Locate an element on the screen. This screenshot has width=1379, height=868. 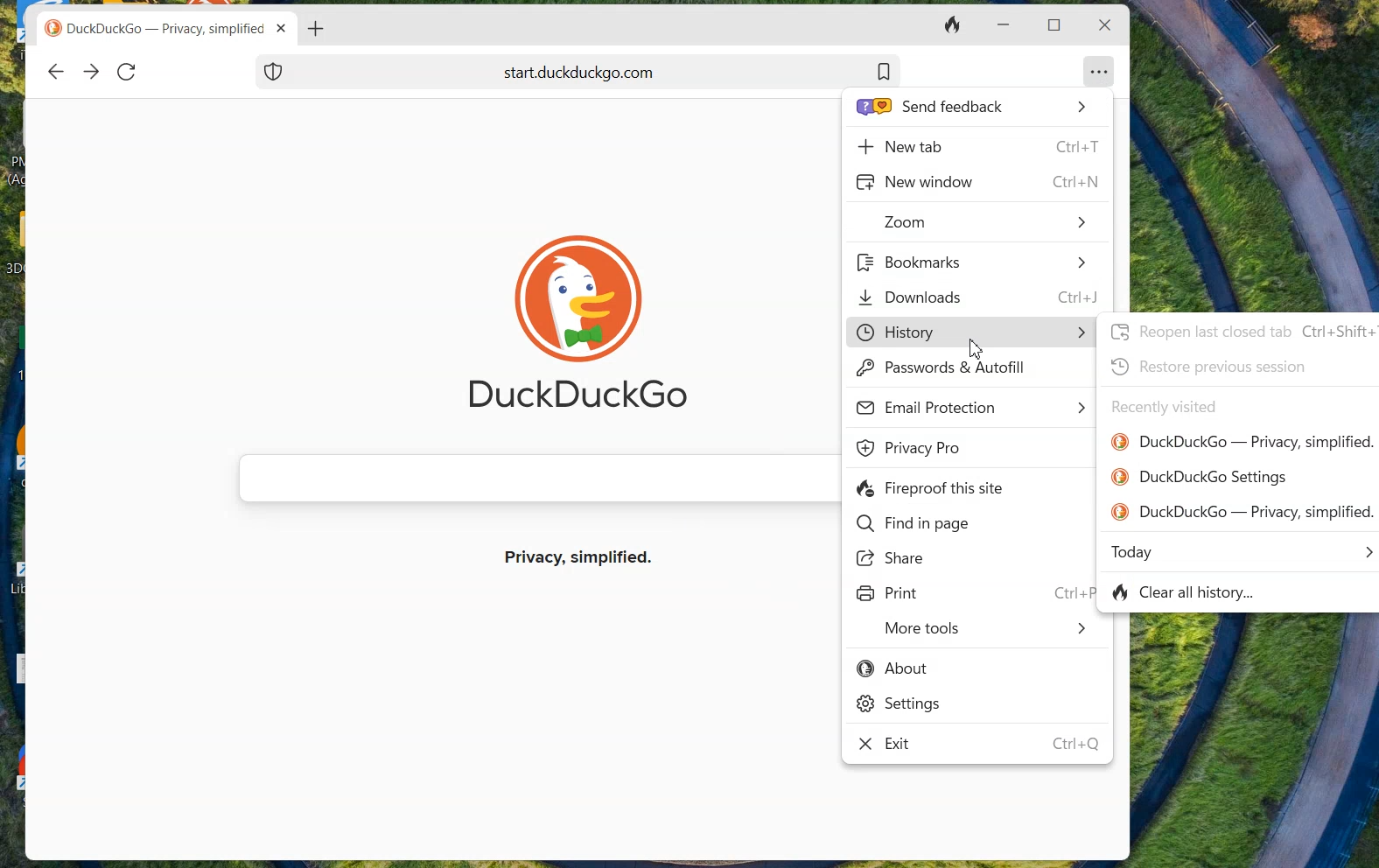
New window is located at coordinates (976, 182).